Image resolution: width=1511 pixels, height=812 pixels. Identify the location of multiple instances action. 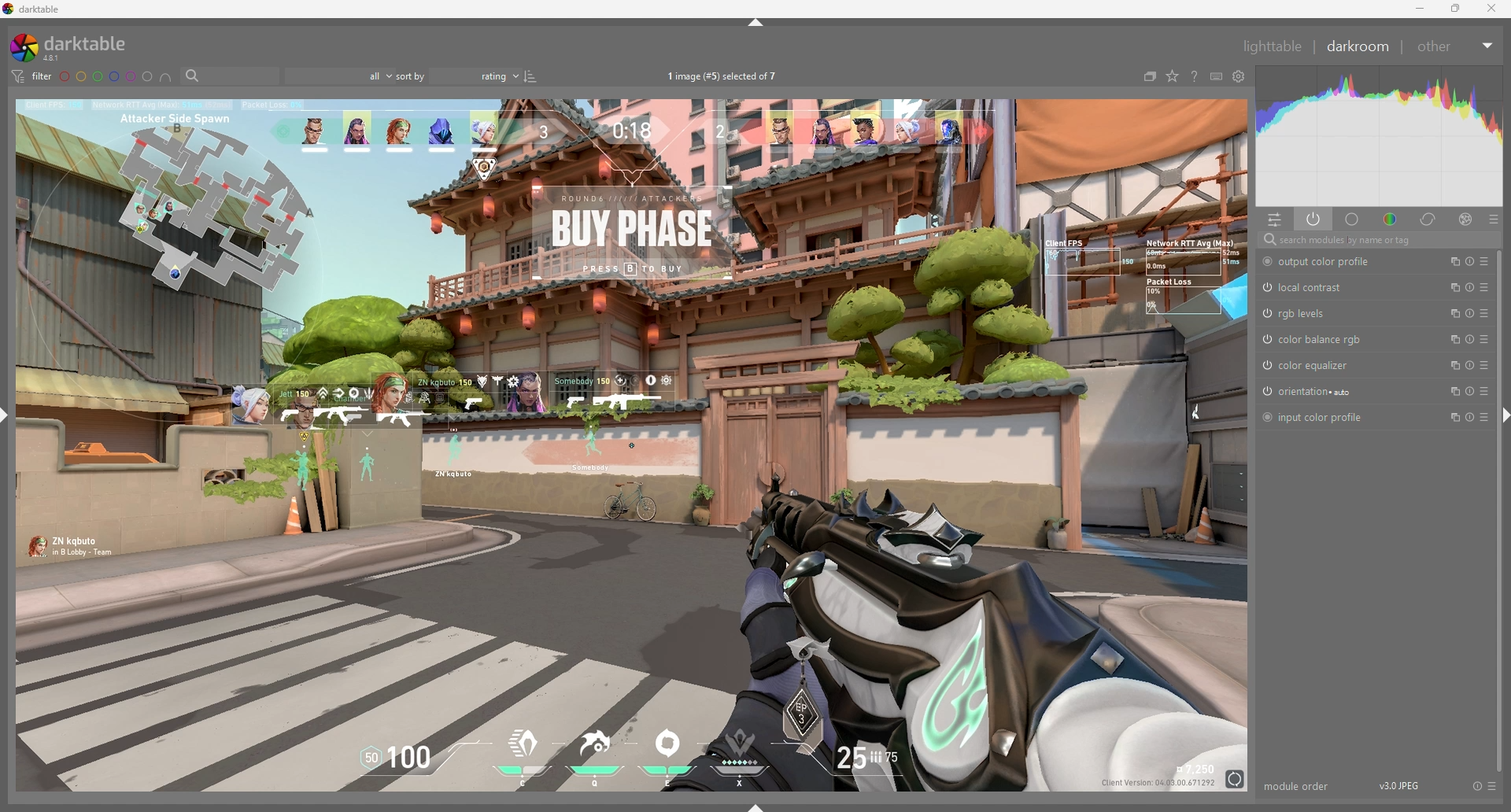
(1450, 261).